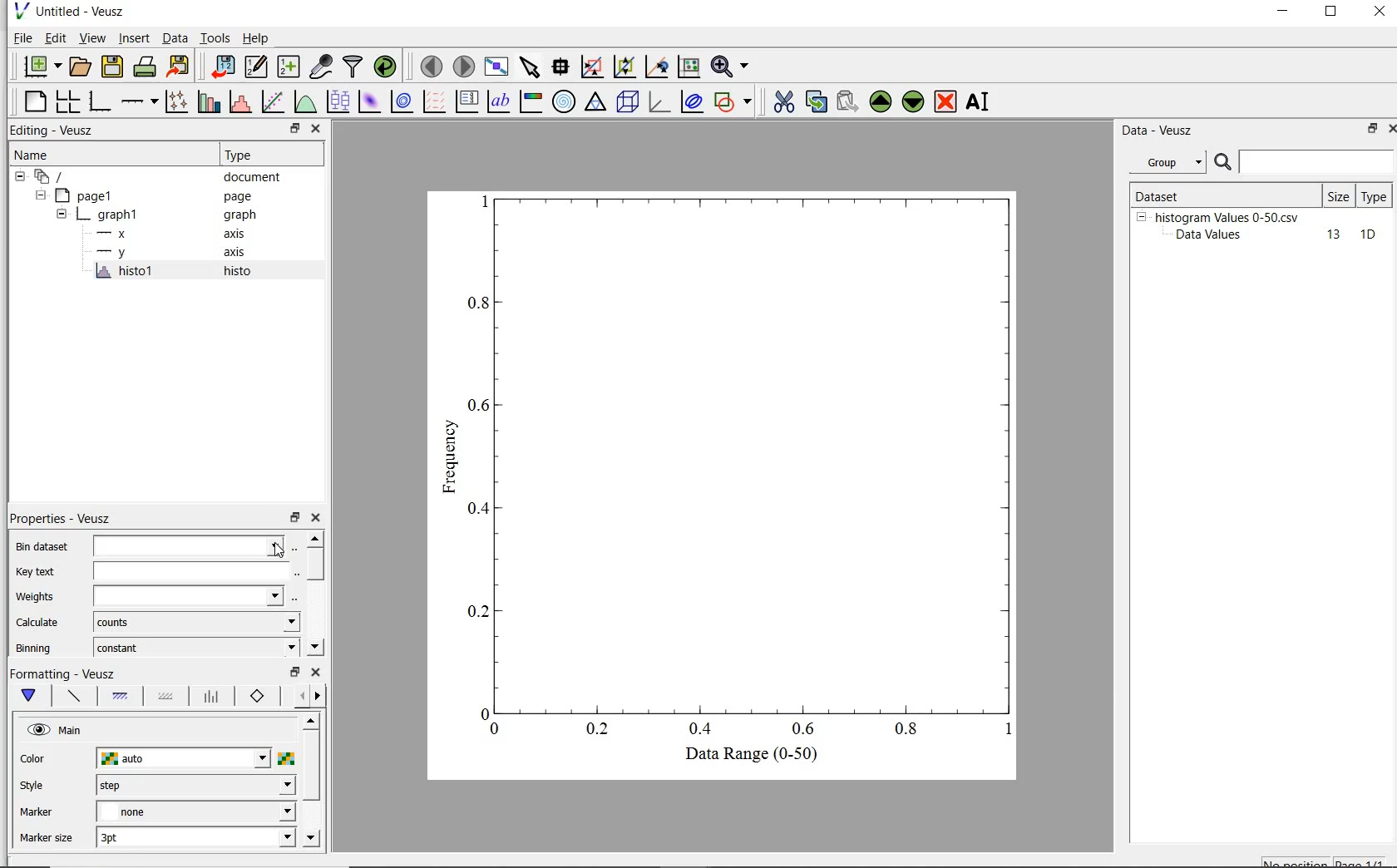  I want to click on restore down, so click(1331, 13).